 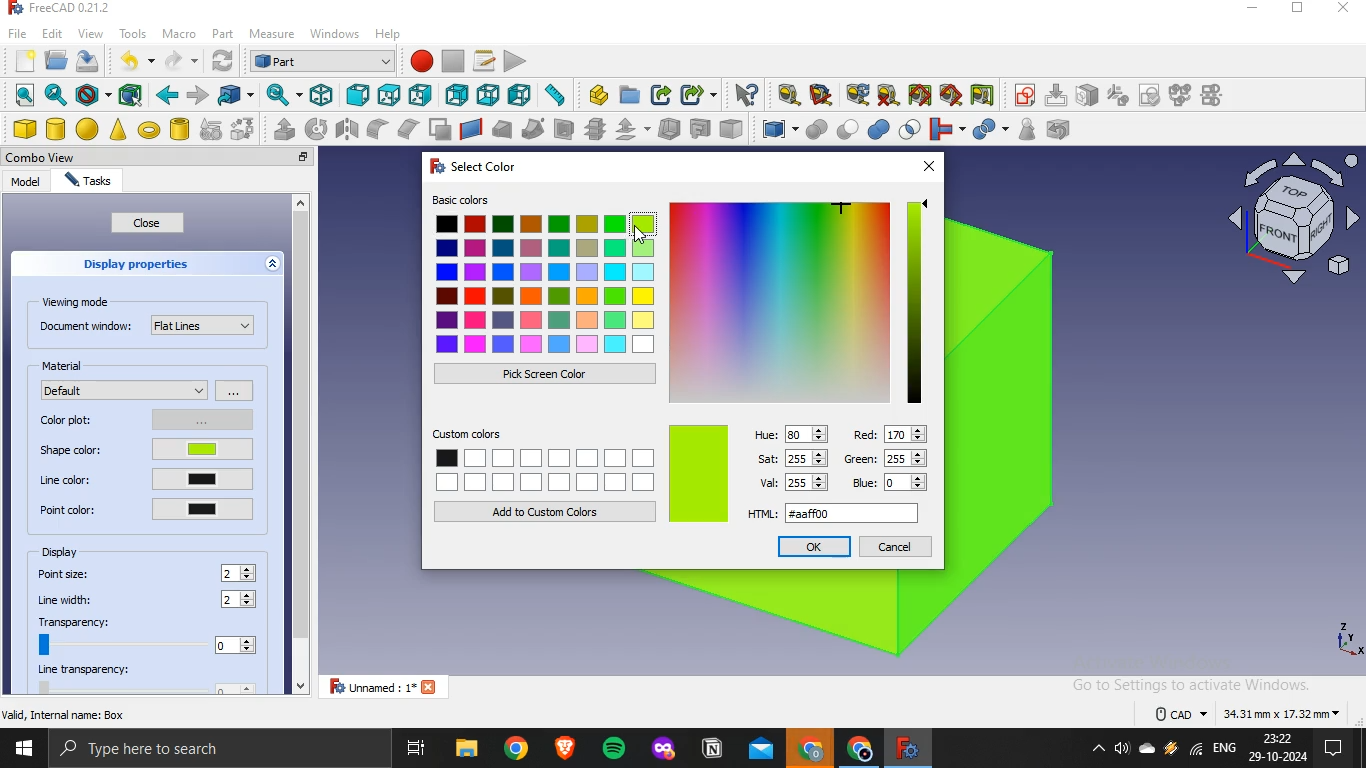 What do you see at coordinates (166, 95) in the screenshot?
I see `backward` at bounding box center [166, 95].